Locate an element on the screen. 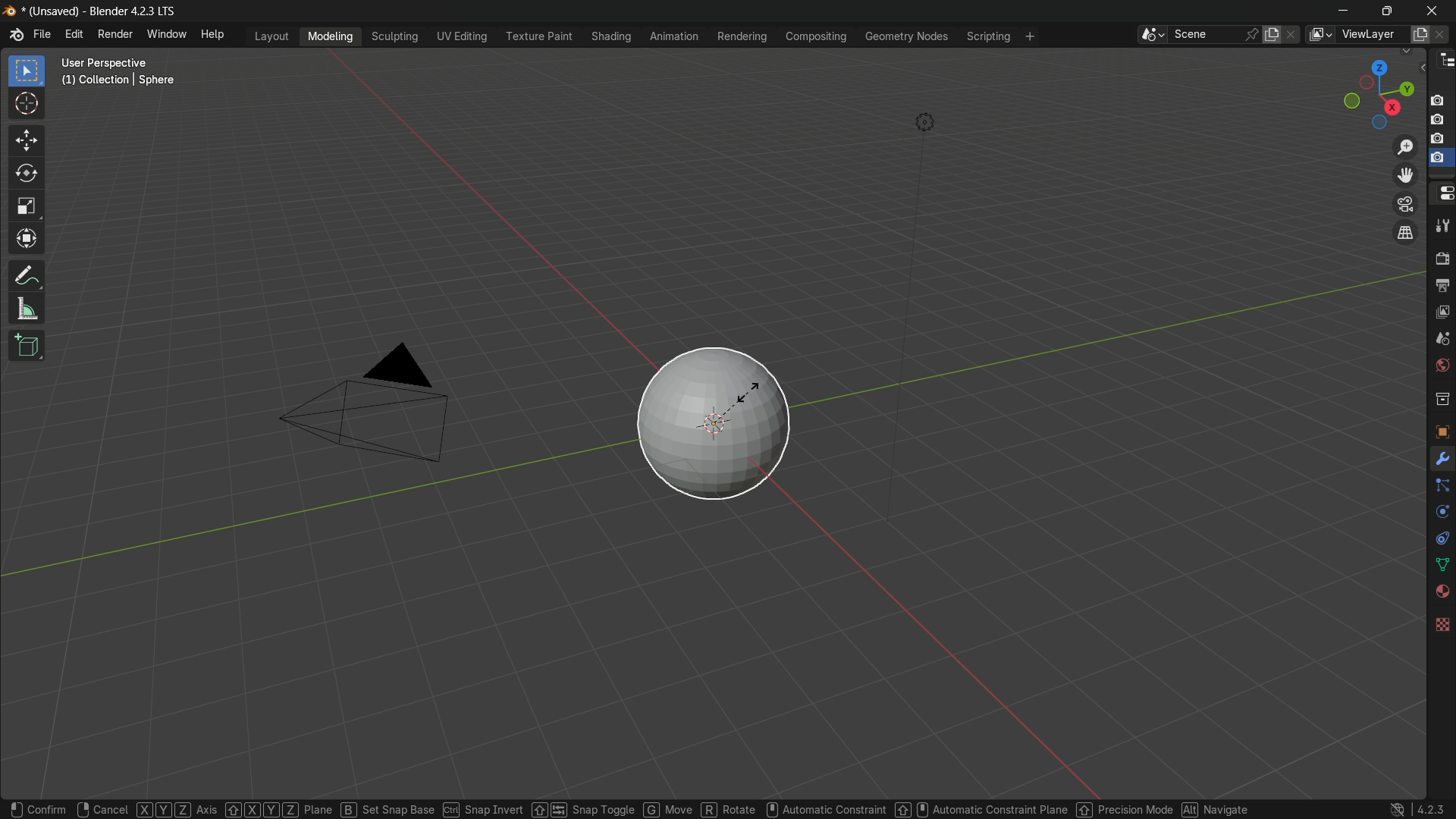  cancel XYZ is located at coordinates (136, 807).